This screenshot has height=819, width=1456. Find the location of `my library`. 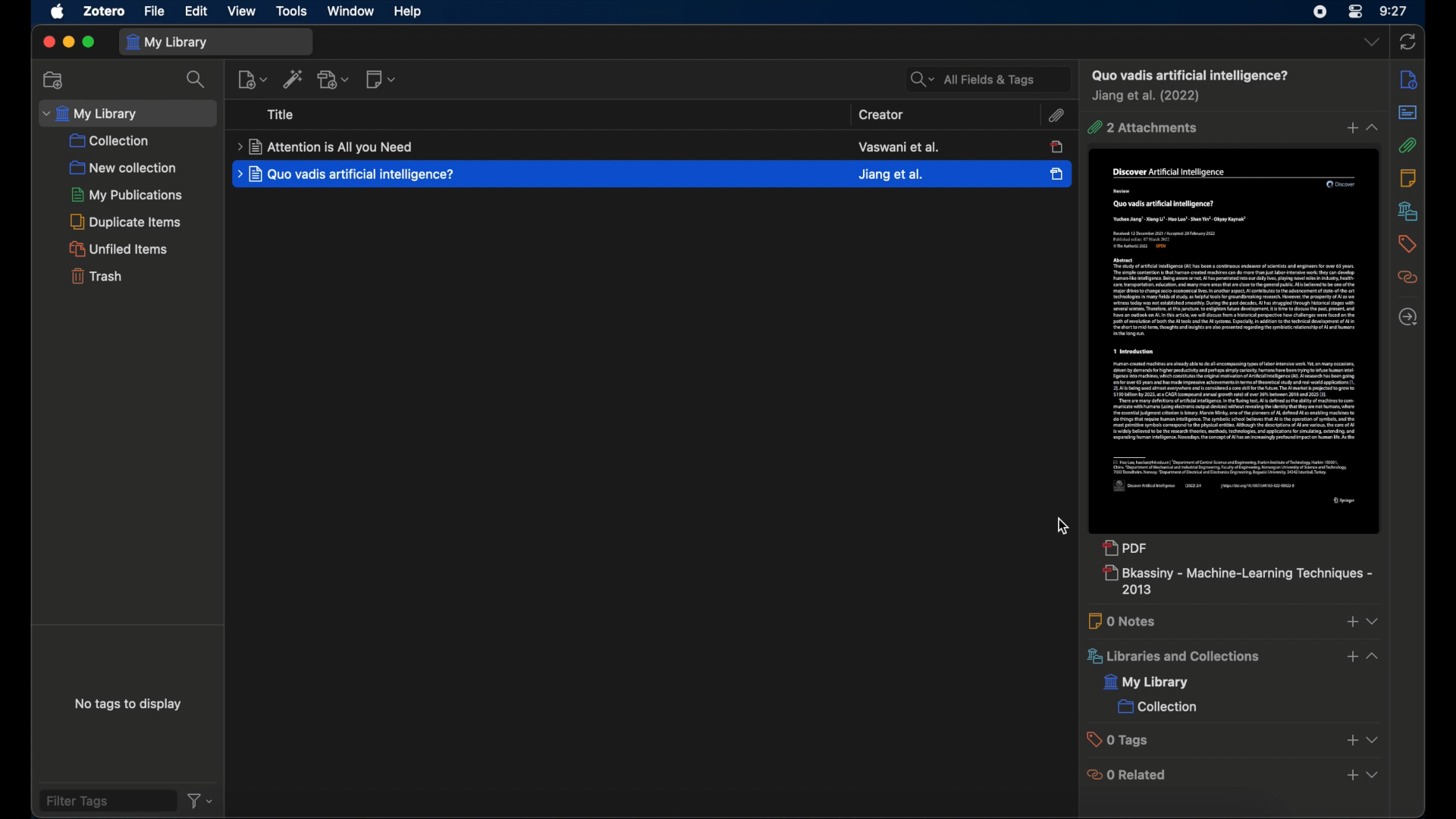

my library is located at coordinates (216, 41).